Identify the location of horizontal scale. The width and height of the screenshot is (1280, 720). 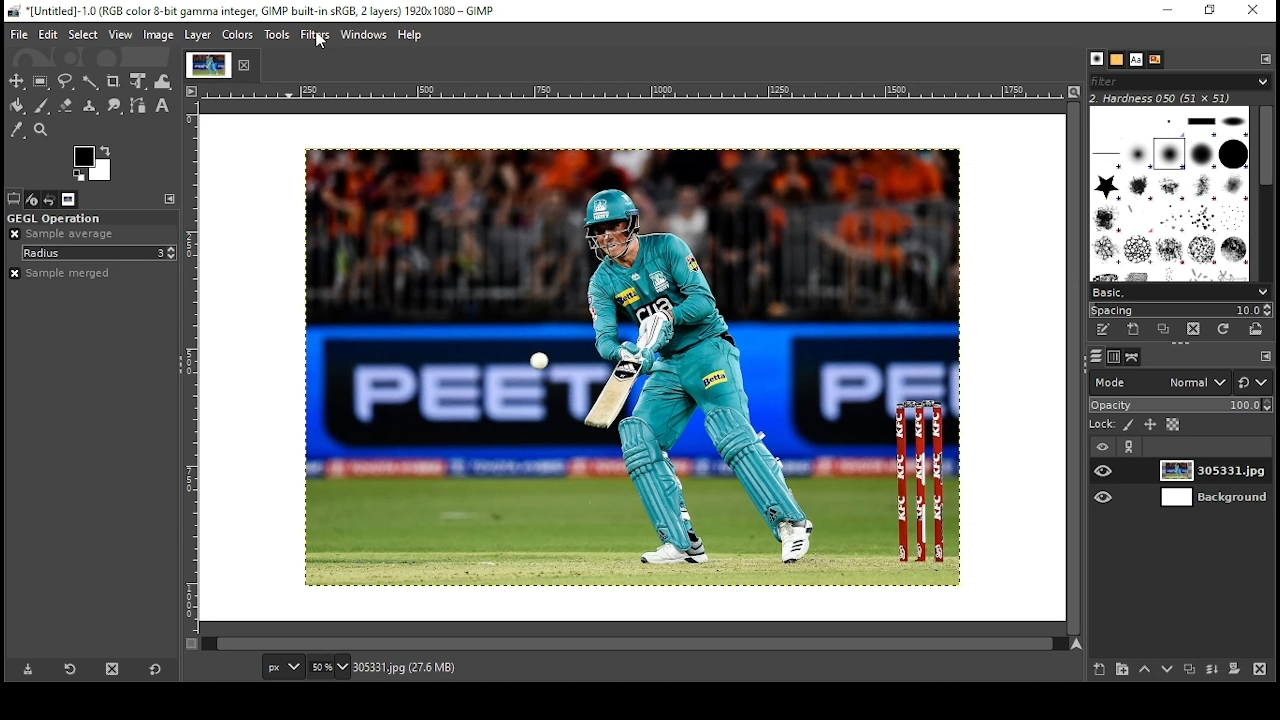
(640, 91).